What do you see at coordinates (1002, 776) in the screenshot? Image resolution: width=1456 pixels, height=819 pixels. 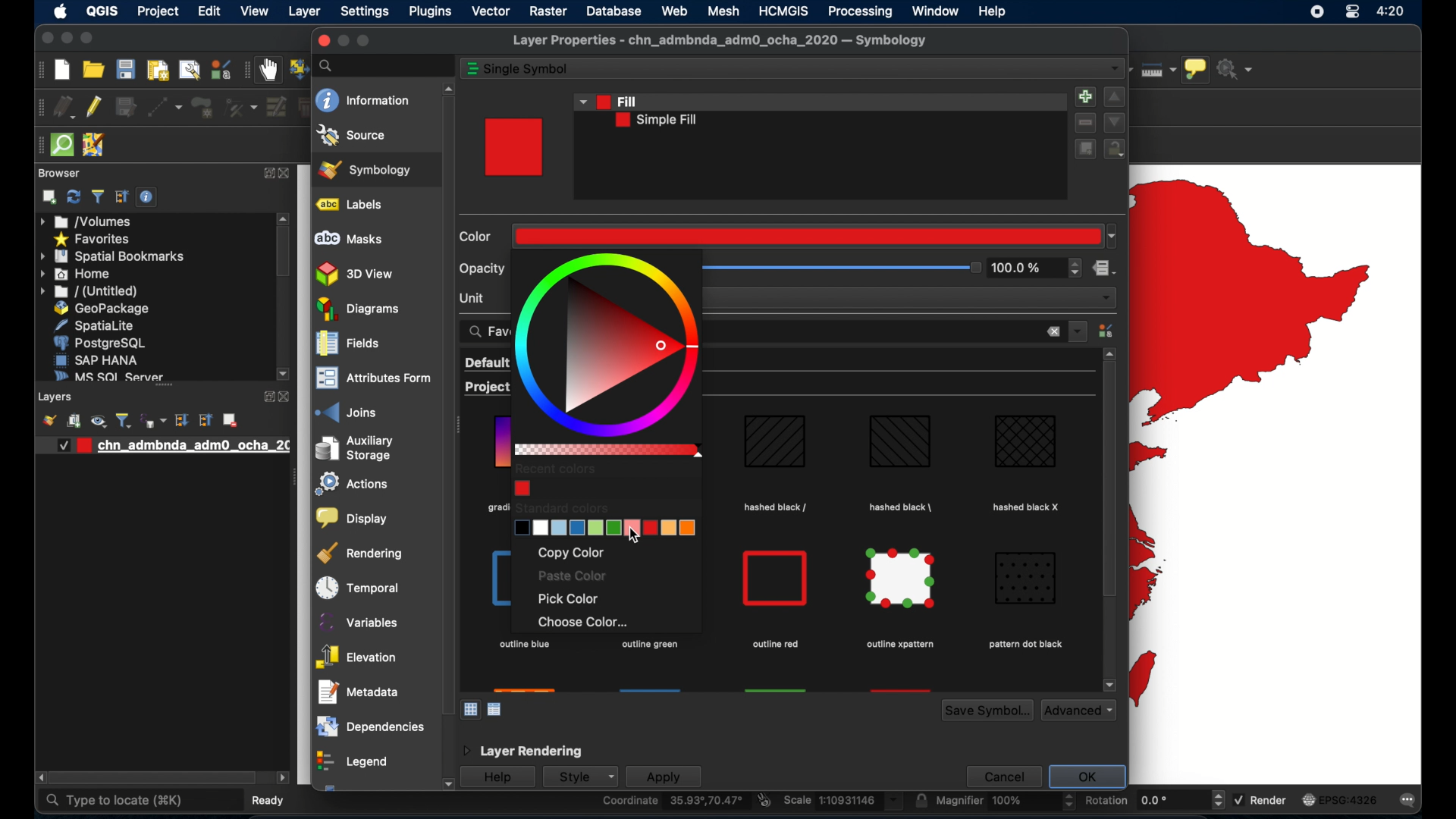 I see `cancel` at bounding box center [1002, 776].